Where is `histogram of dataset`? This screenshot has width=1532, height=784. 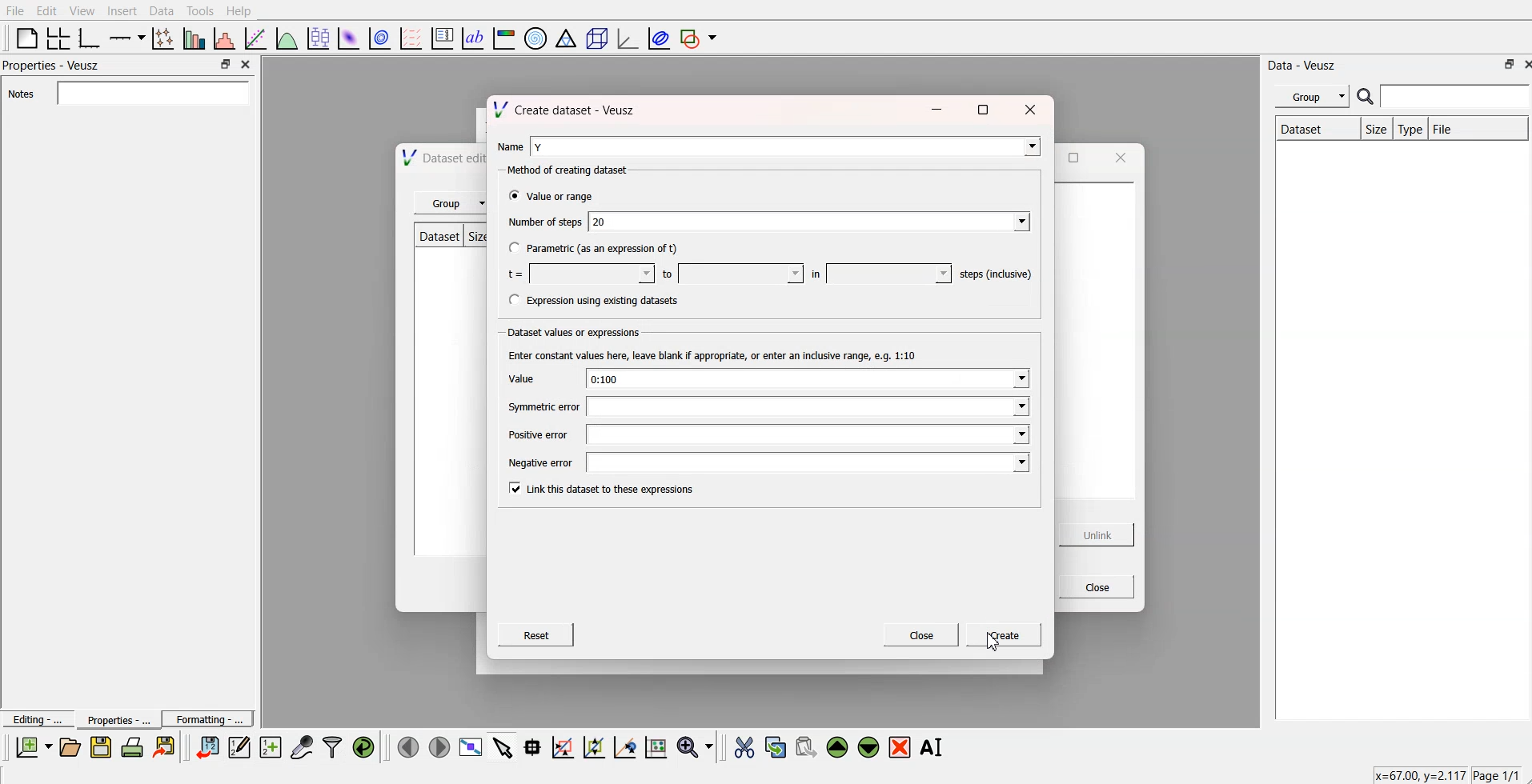 histogram of dataset is located at coordinates (226, 38).